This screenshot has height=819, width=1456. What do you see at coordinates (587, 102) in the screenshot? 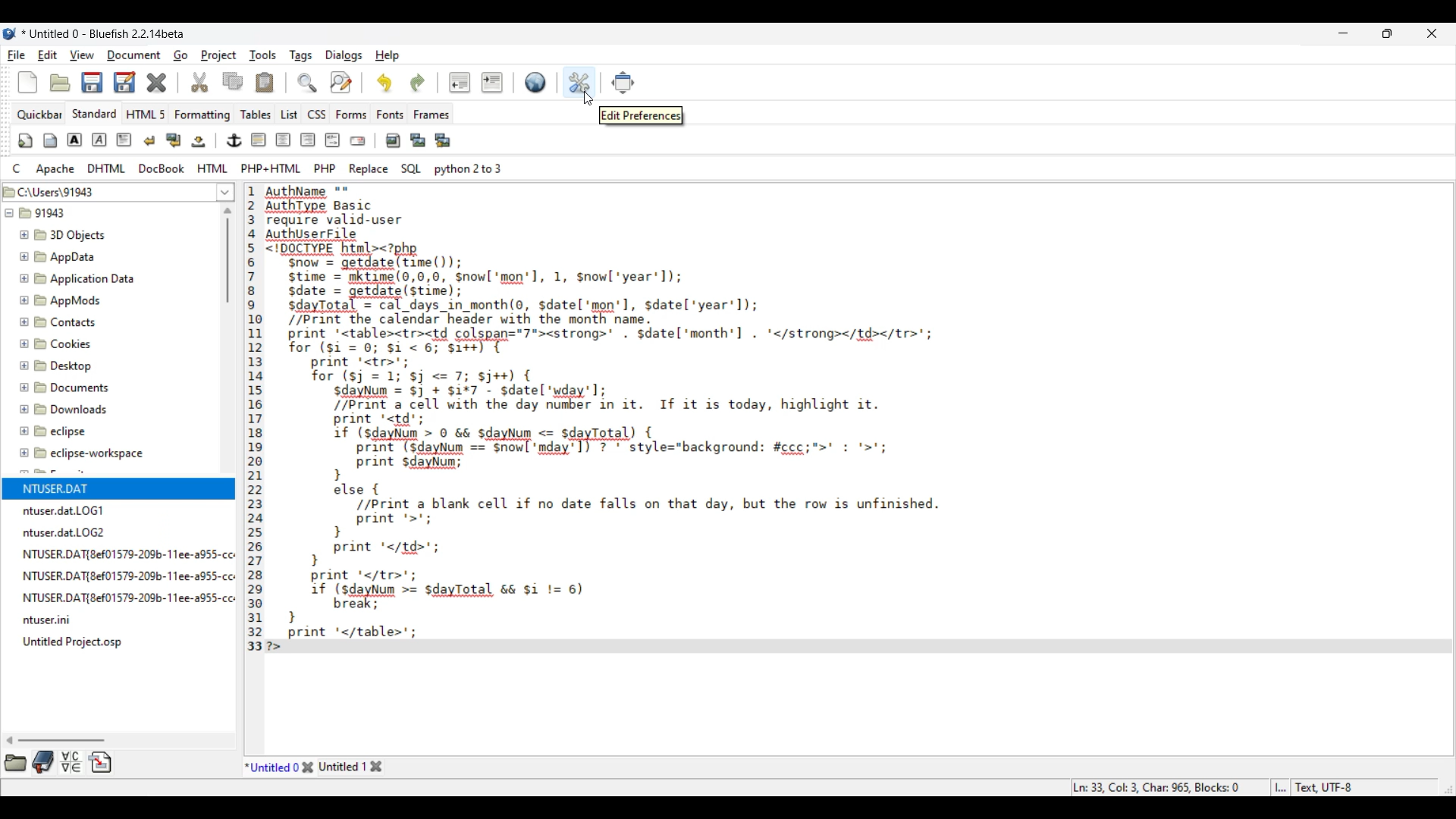
I see `cursor` at bounding box center [587, 102].